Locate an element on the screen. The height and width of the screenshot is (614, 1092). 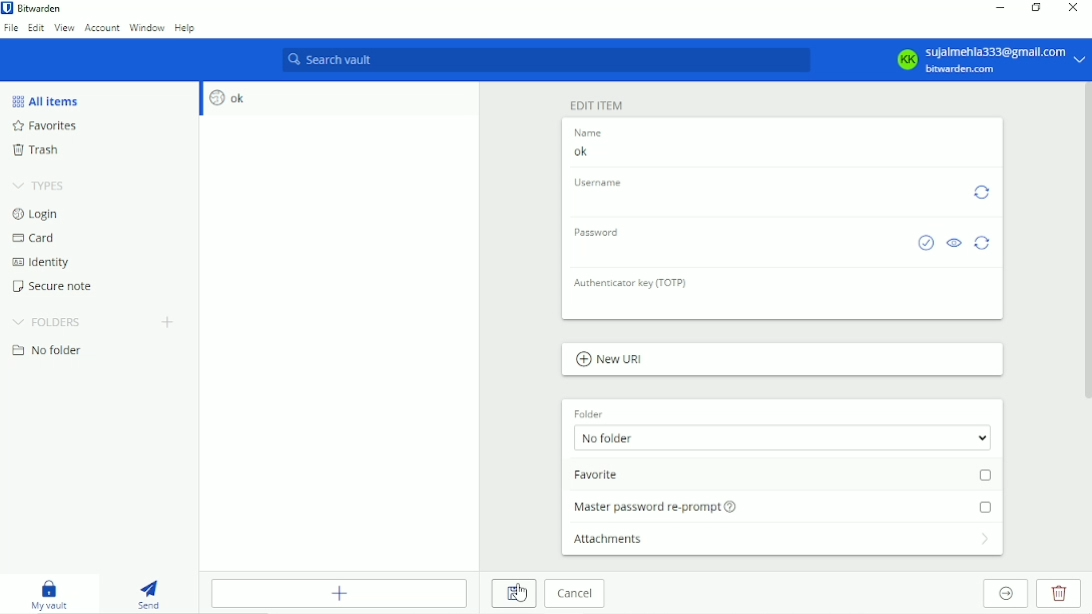
Password is located at coordinates (599, 232).